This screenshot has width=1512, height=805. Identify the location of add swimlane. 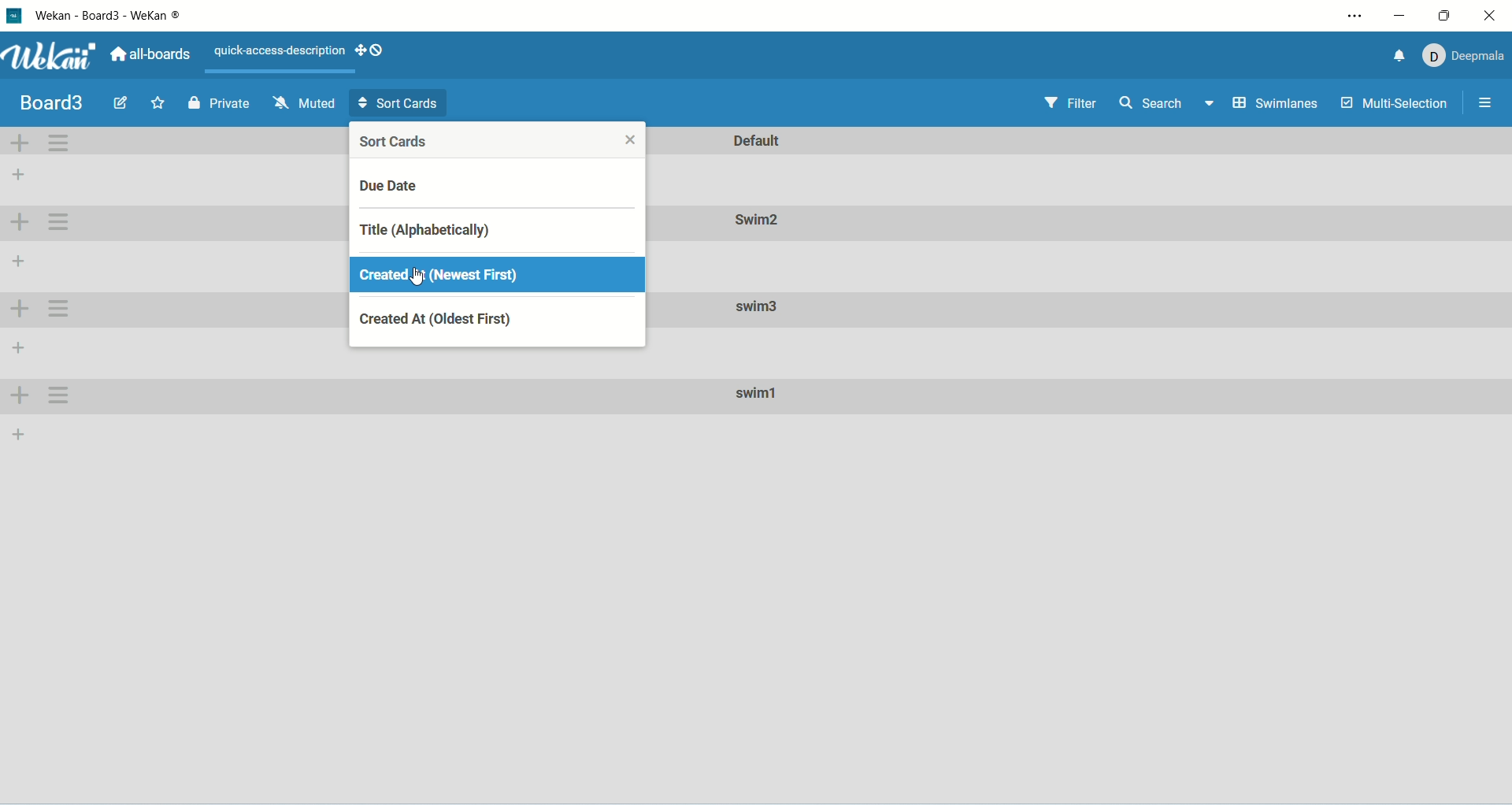
(18, 143).